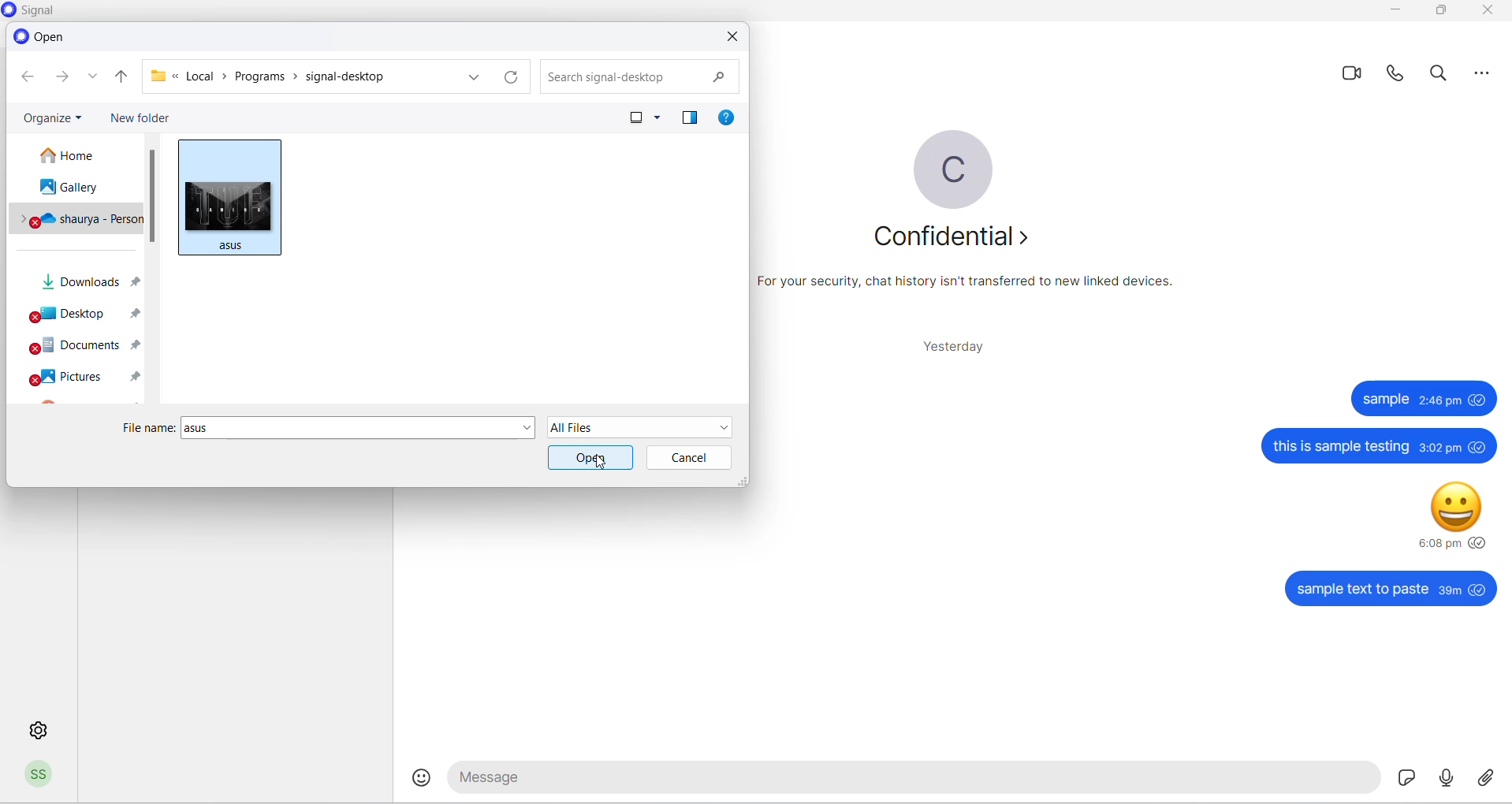  Describe the element at coordinates (150, 429) in the screenshot. I see `file name heading` at that location.